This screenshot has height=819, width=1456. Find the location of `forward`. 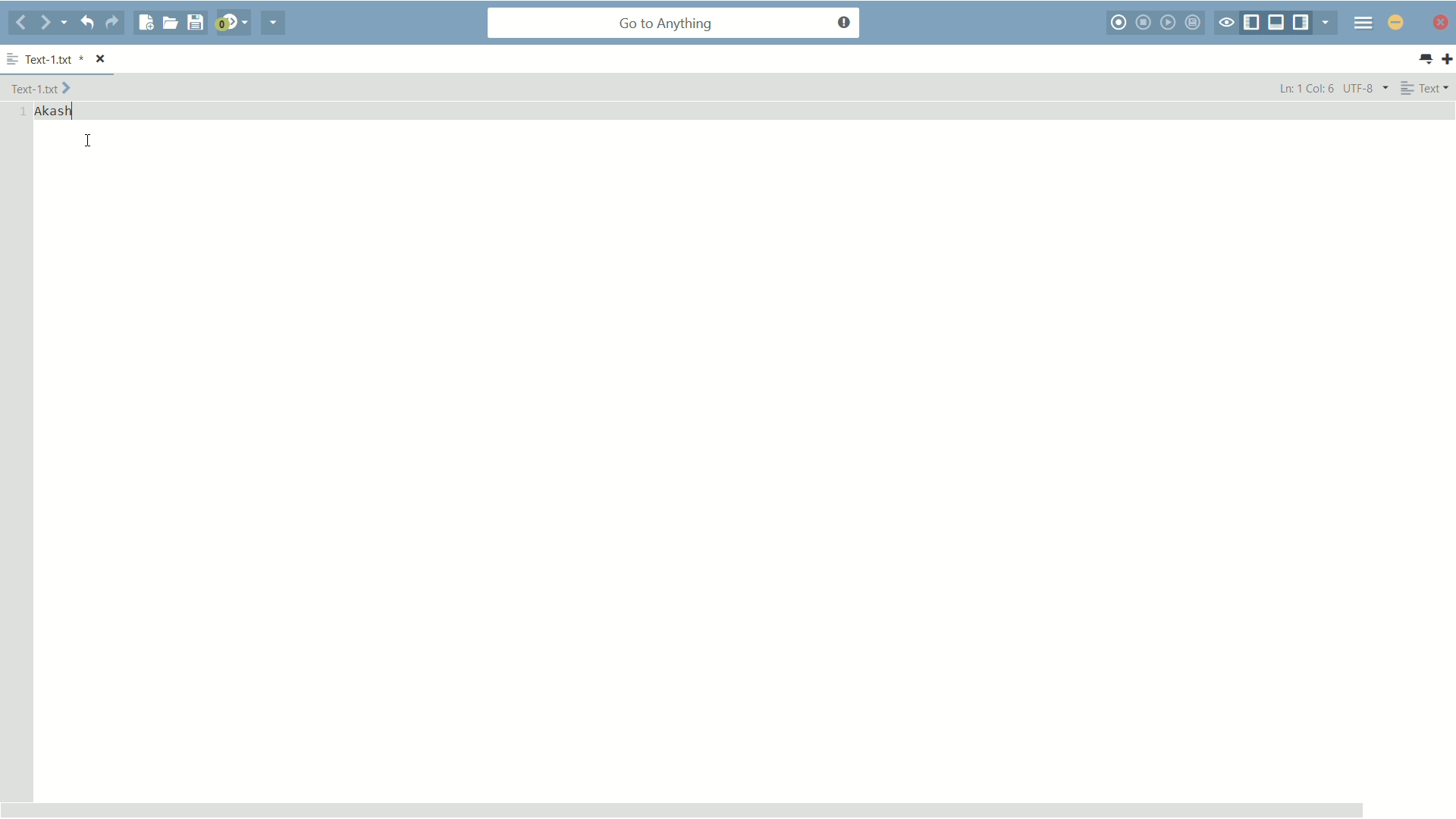

forward is located at coordinates (53, 23).